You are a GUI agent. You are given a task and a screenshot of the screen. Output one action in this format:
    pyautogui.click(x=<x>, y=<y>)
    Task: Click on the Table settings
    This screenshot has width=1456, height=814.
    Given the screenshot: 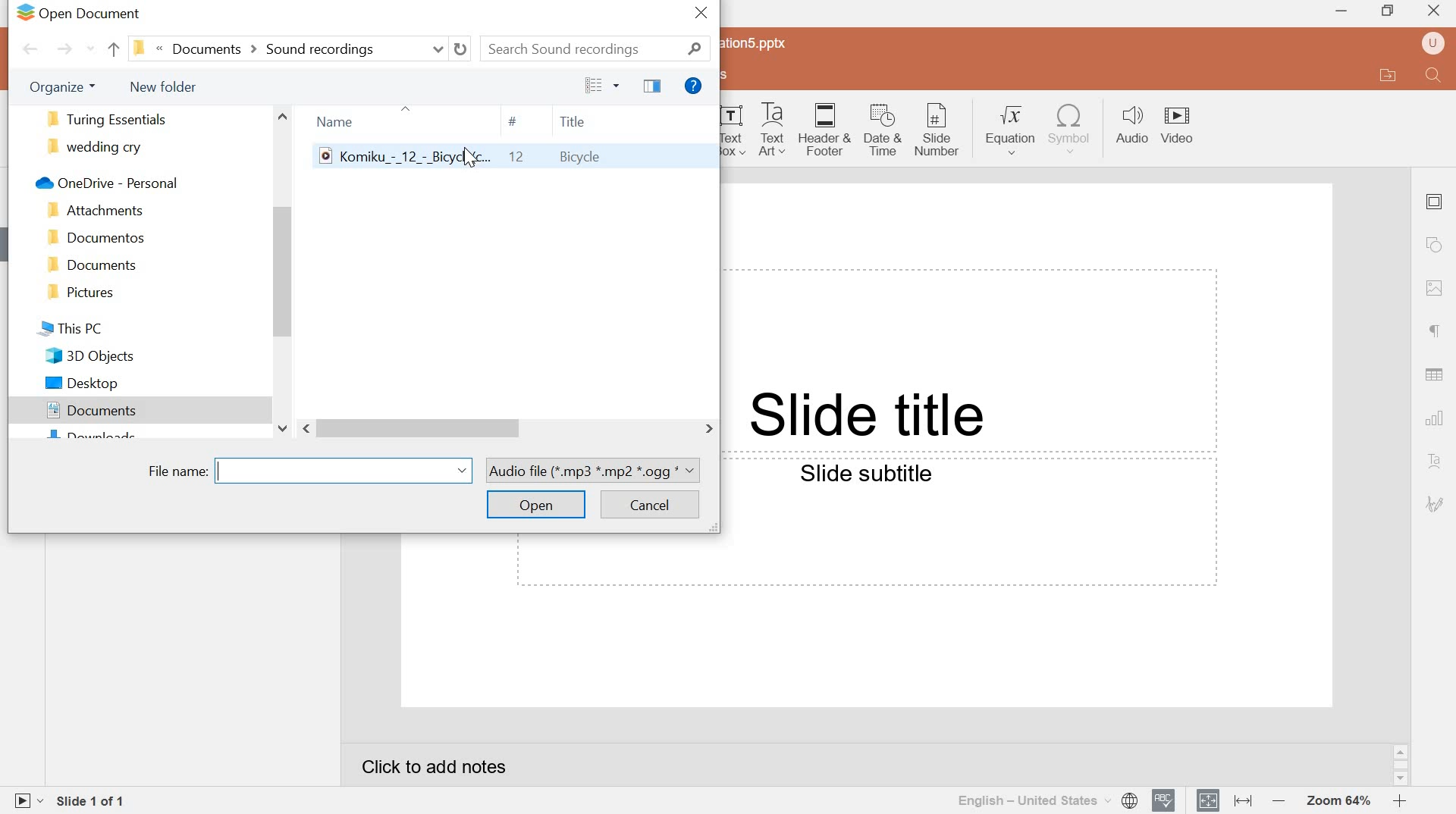 What is the action you would take?
    pyautogui.click(x=1434, y=374)
    